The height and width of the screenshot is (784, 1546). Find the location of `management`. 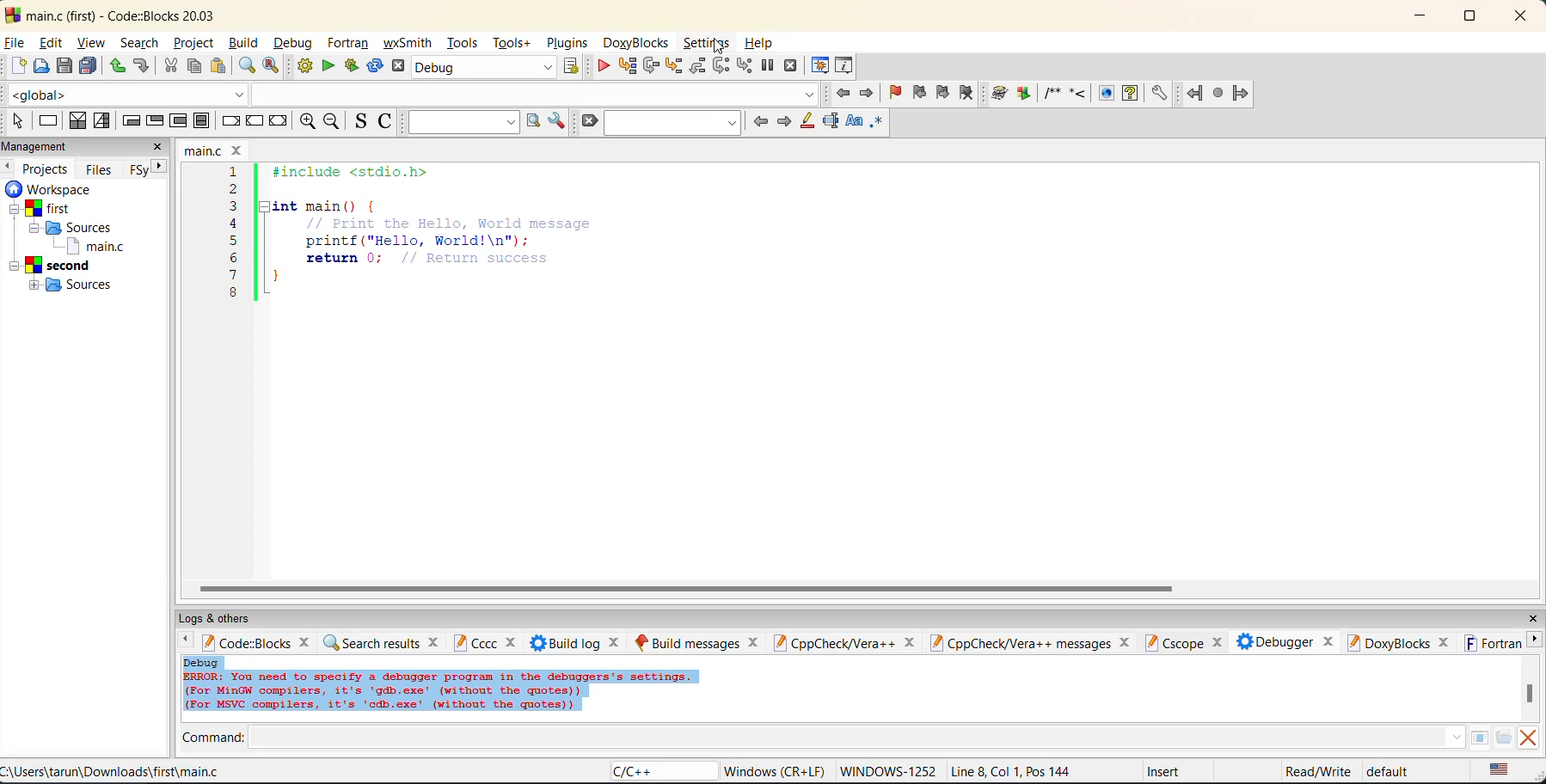

management is located at coordinates (41, 146).